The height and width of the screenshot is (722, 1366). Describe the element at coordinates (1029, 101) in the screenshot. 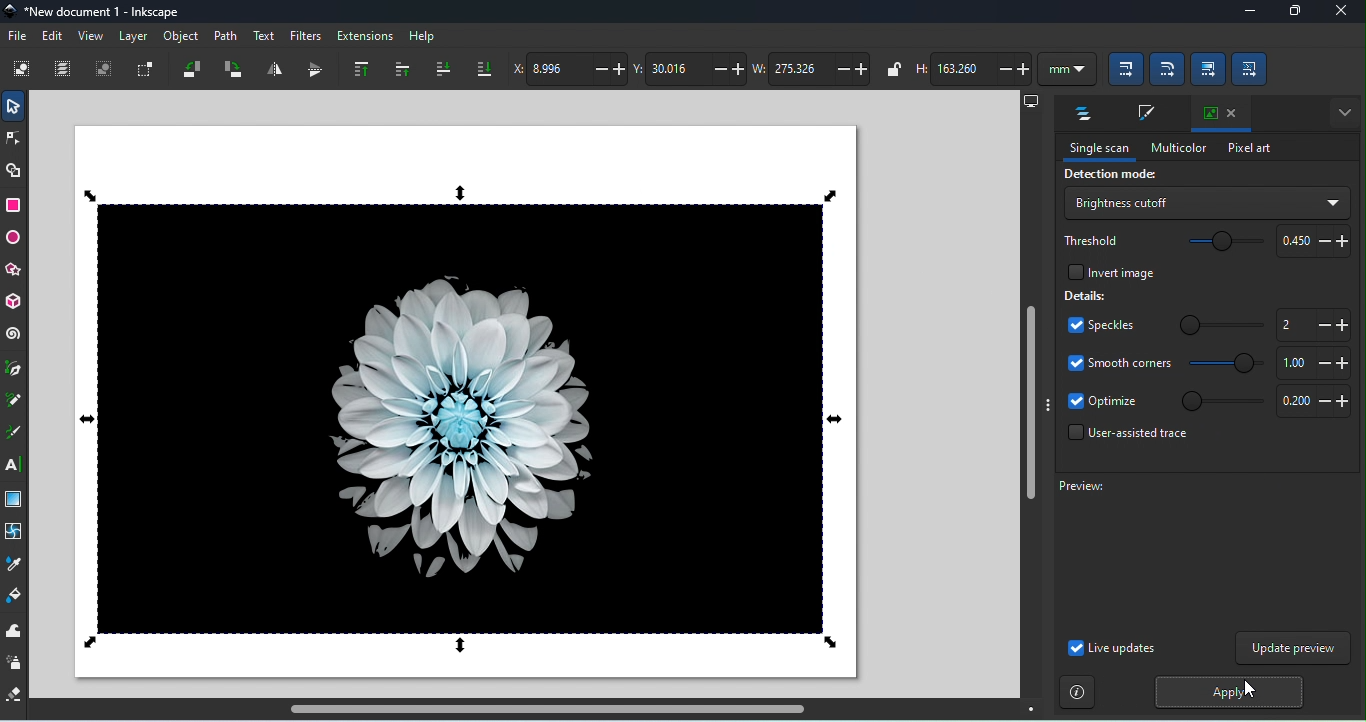

I see `Display options` at that location.